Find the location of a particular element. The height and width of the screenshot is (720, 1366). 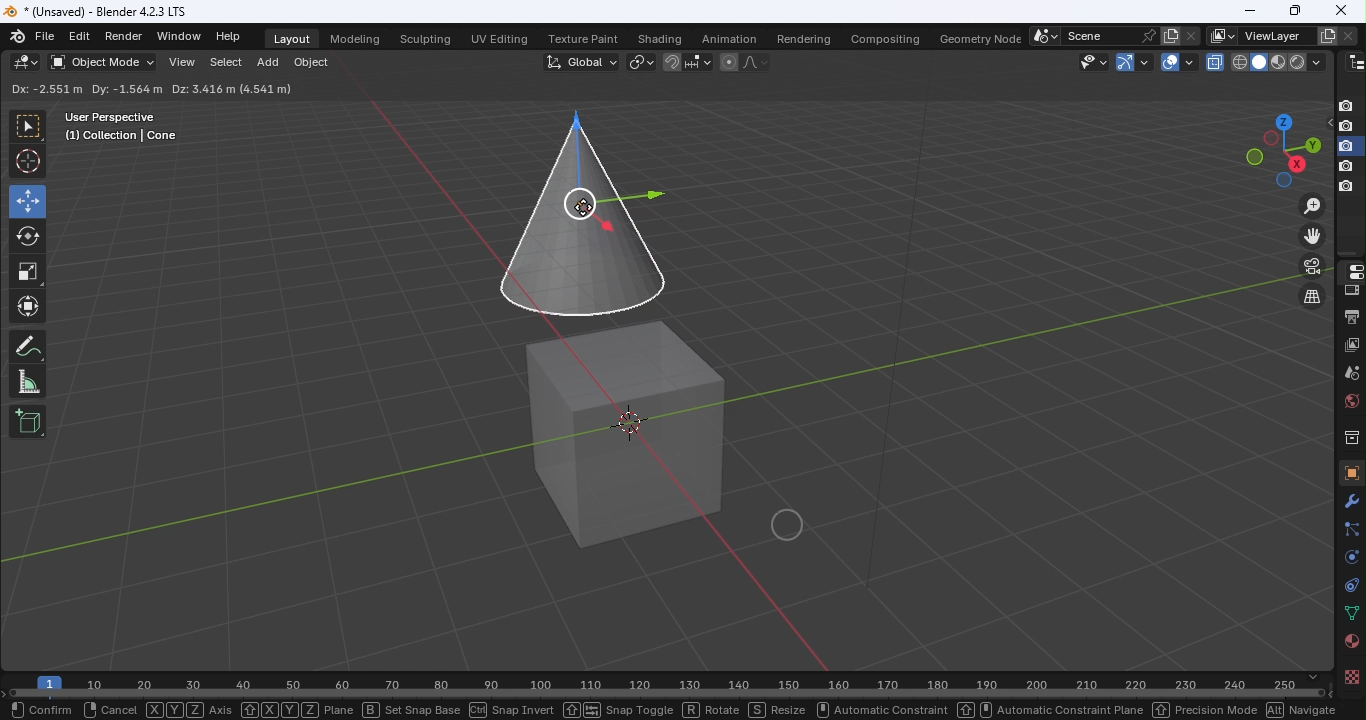

Shading is located at coordinates (659, 38).